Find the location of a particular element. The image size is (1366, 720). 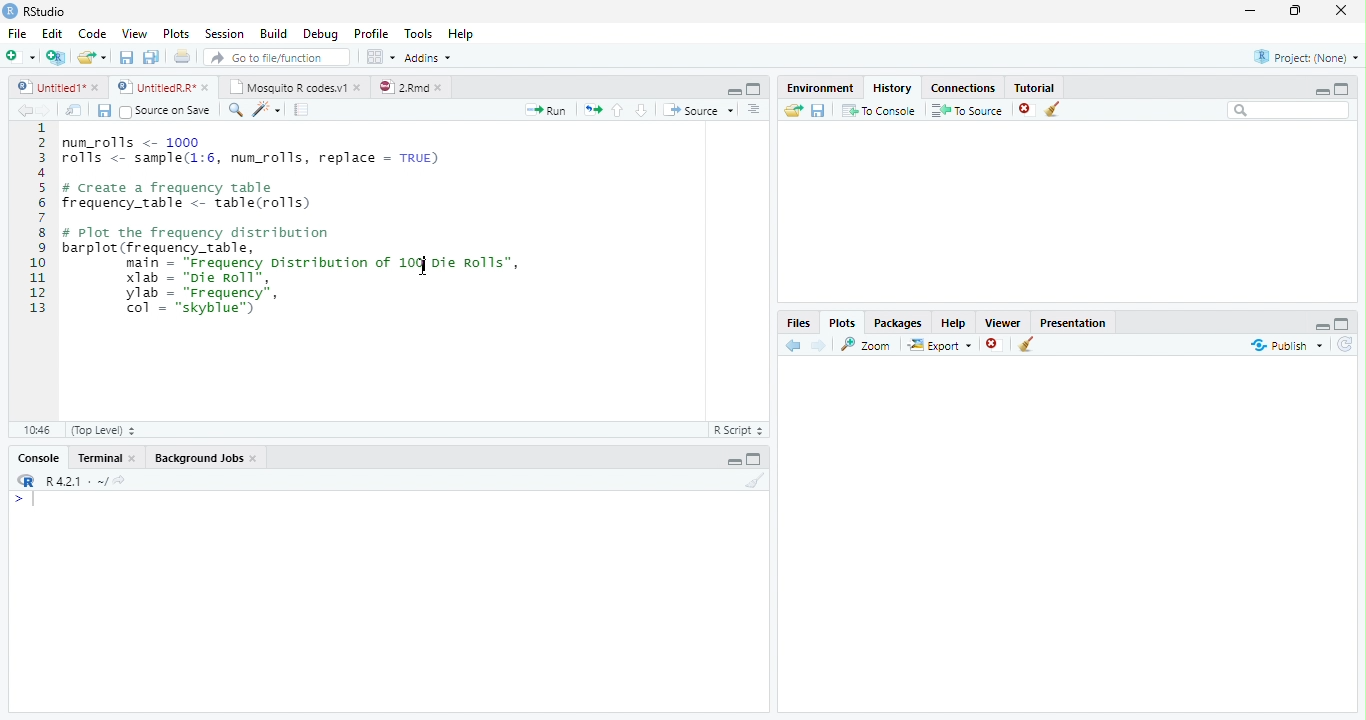

Plots is located at coordinates (843, 321).